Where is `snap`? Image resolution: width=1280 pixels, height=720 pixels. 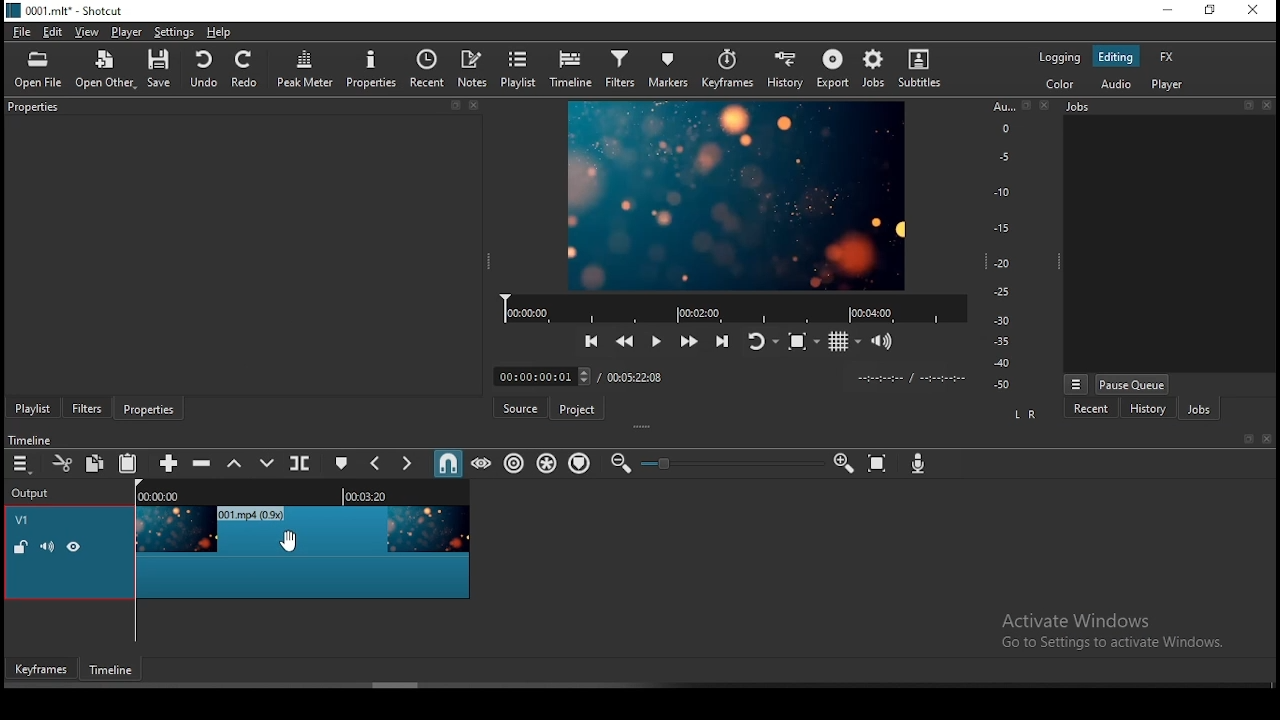 snap is located at coordinates (450, 463).